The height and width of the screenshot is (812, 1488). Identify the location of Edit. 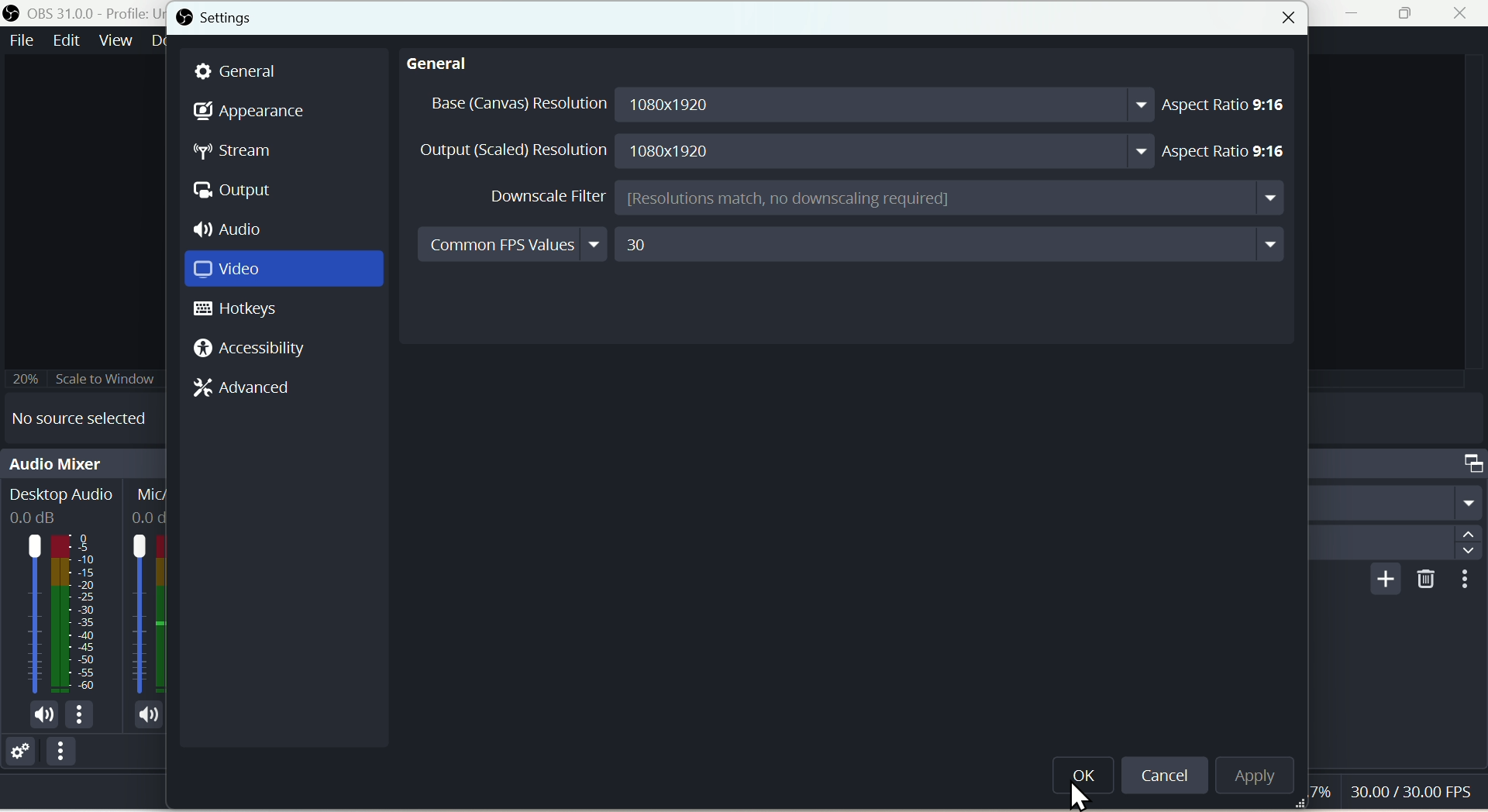
(66, 40).